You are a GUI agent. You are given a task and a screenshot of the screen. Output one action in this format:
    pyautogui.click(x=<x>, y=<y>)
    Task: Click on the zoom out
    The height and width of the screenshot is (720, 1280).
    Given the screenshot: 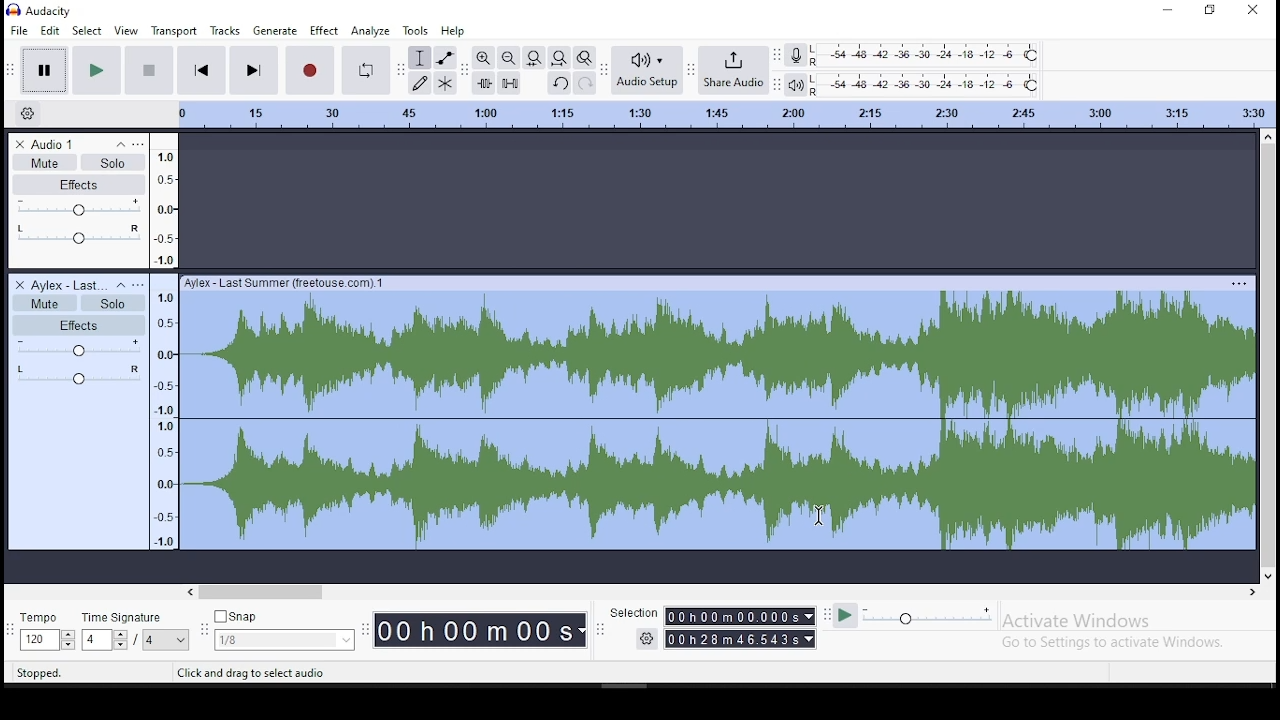 What is the action you would take?
    pyautogui.click(x=508, y=58)
    